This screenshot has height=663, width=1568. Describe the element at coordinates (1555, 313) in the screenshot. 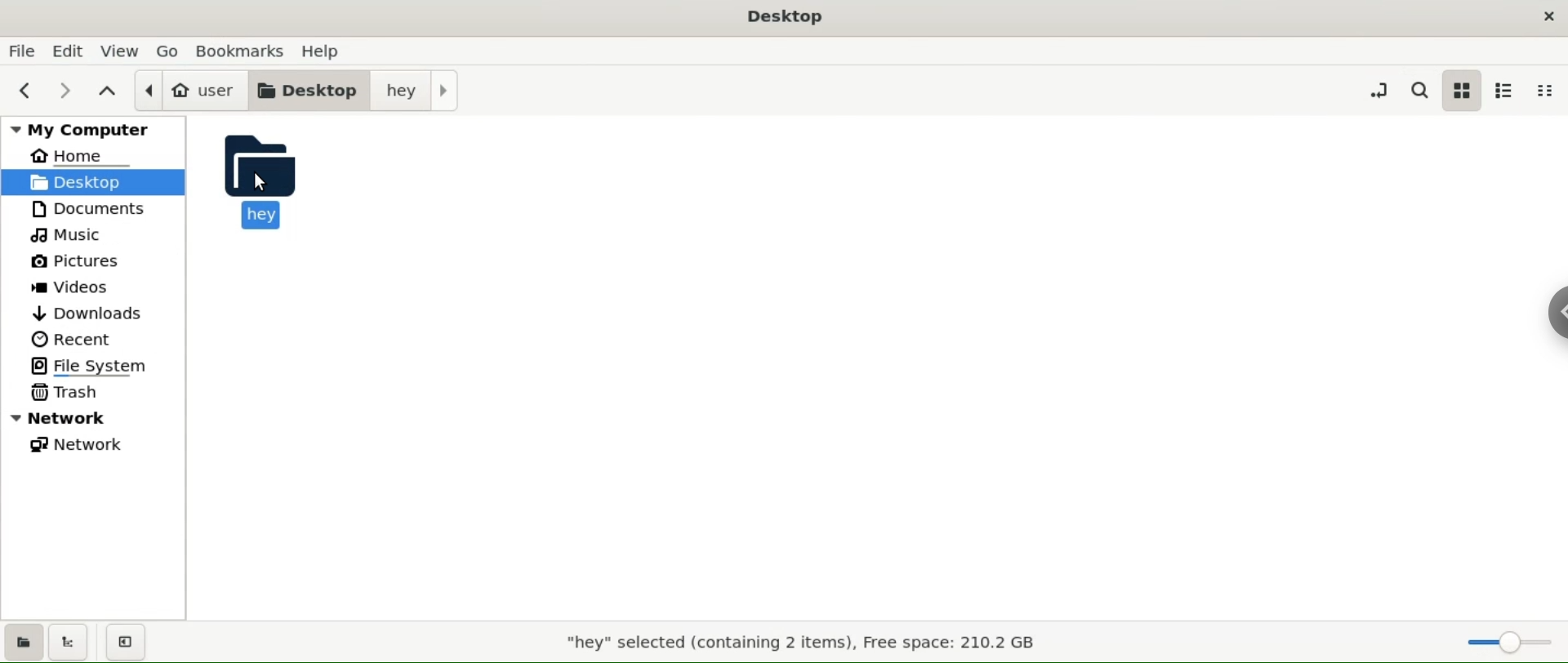

I see `Chrome options` at that location.